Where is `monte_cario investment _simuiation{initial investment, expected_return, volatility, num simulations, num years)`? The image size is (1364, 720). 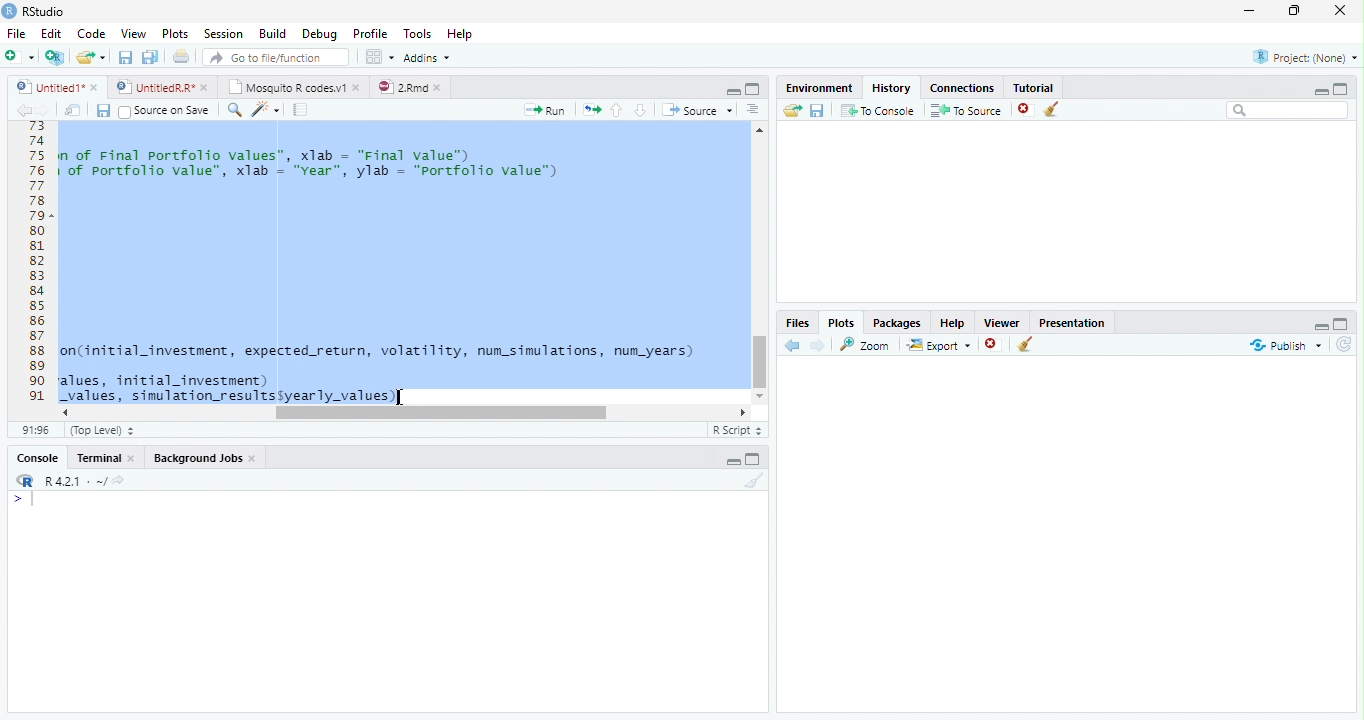 monte_cario investment _simuiation{initial investment, expected_return, volatility, num simulations, num years) is located at coordinates (354, 432).